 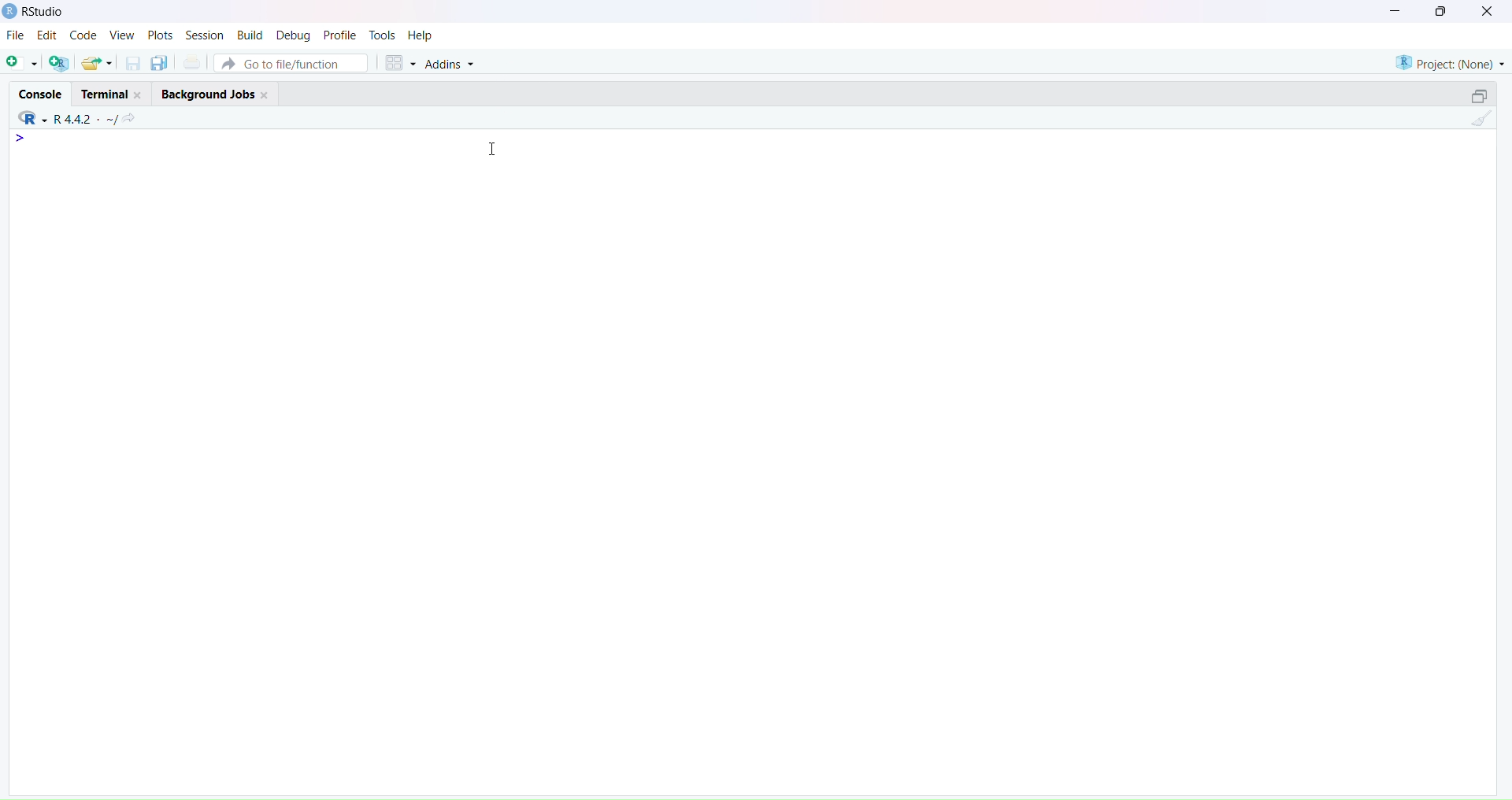 What do you see at coordinates (1481, 95) in the screenshot?
I see `collapse` at bounding box center [1481, 95].